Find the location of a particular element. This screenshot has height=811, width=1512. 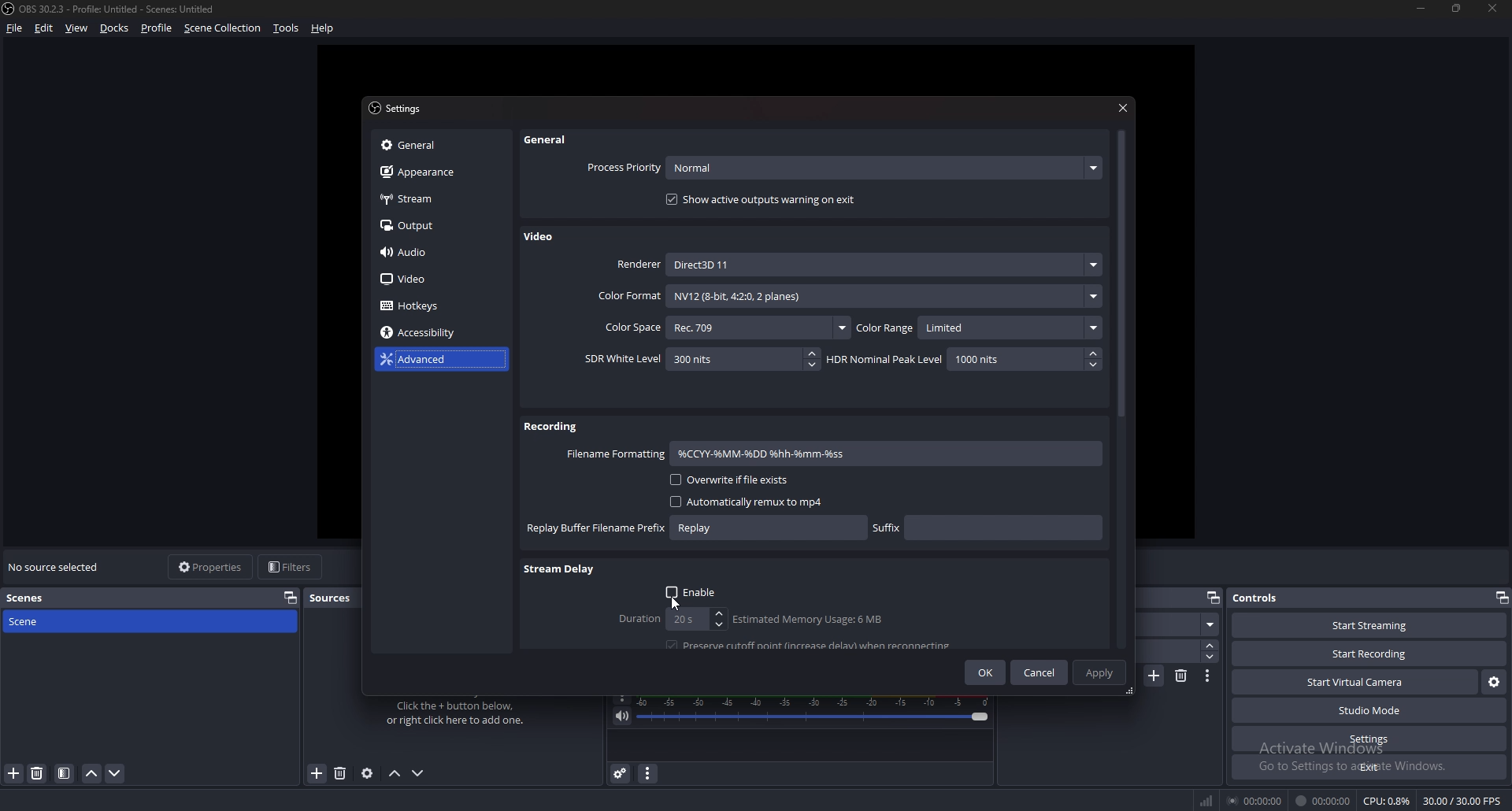

transition properties is located at coordinates (1208, 676).